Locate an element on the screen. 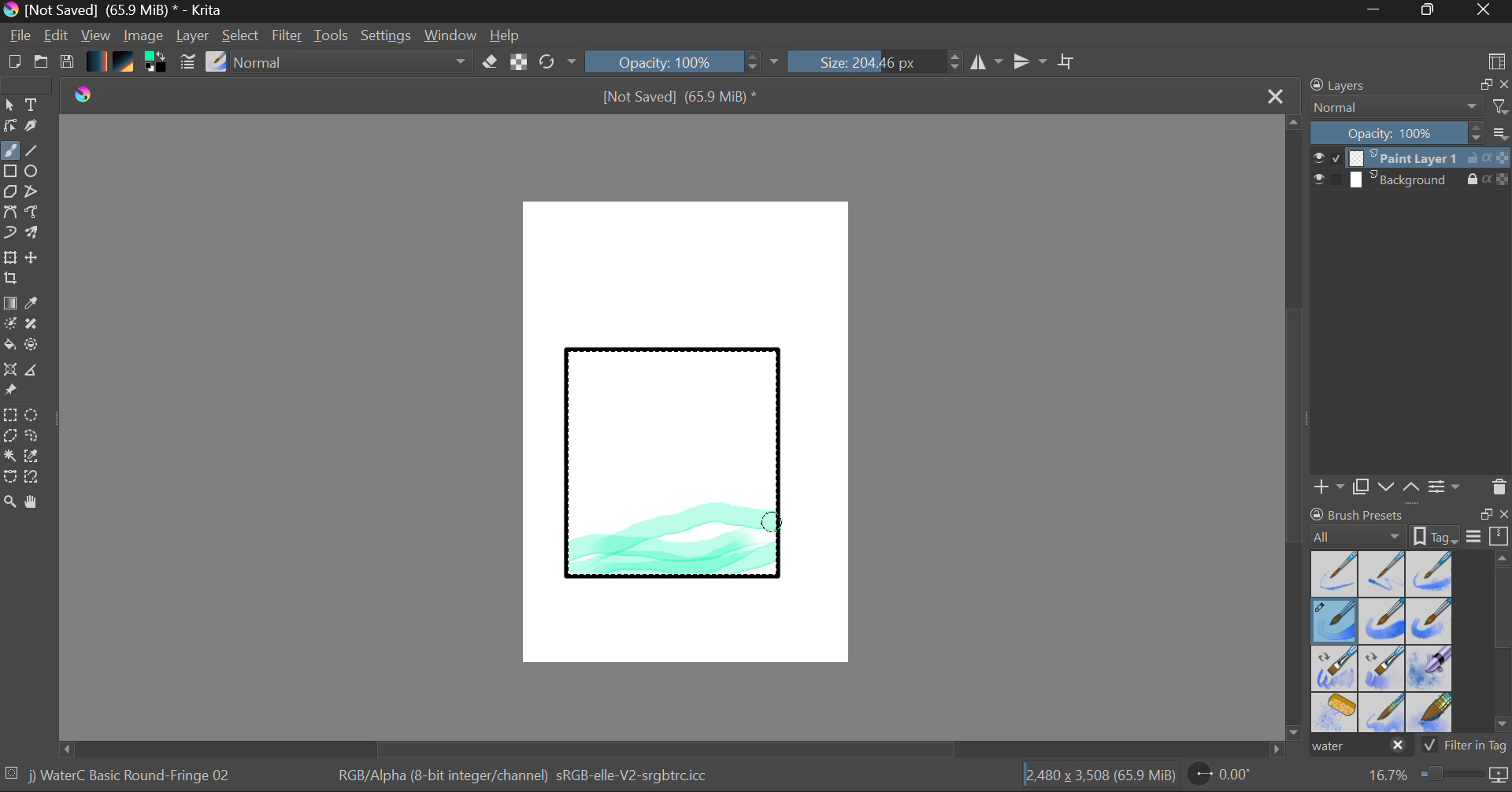 The image size is (1512, 792). Close is located at coordinates (1485, 11).